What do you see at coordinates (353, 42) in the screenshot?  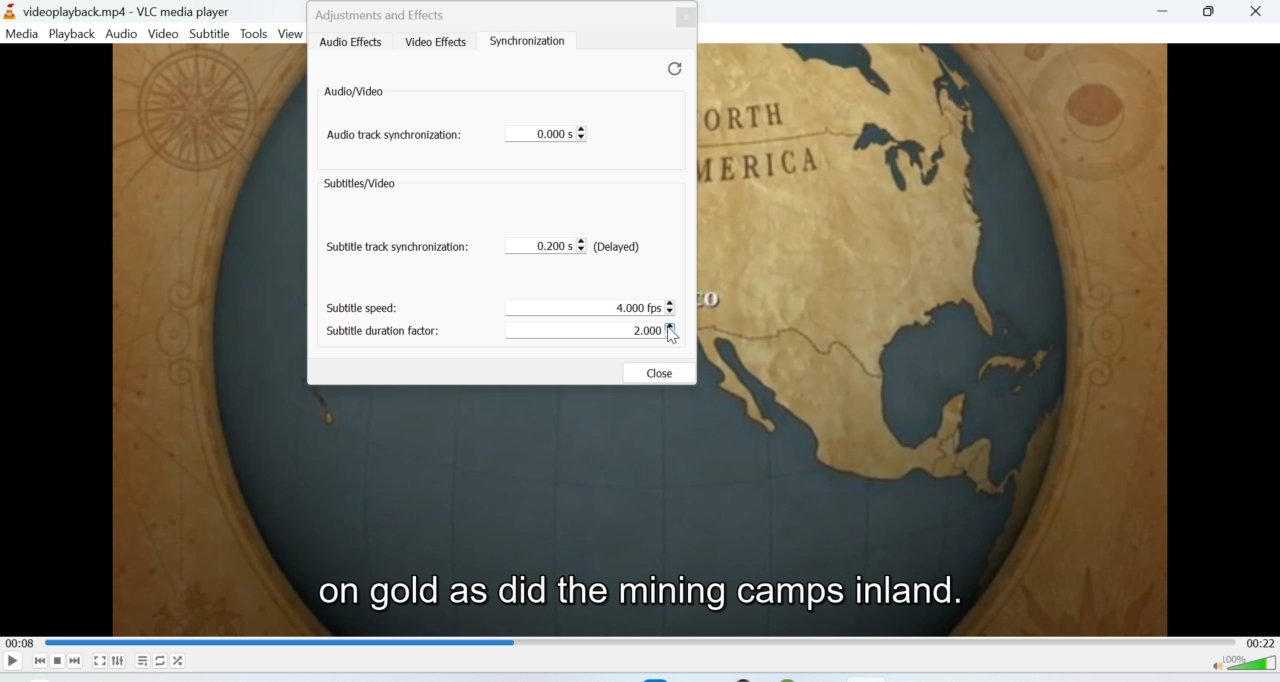 I see `Audio effects` at bounding box center [353, 42].